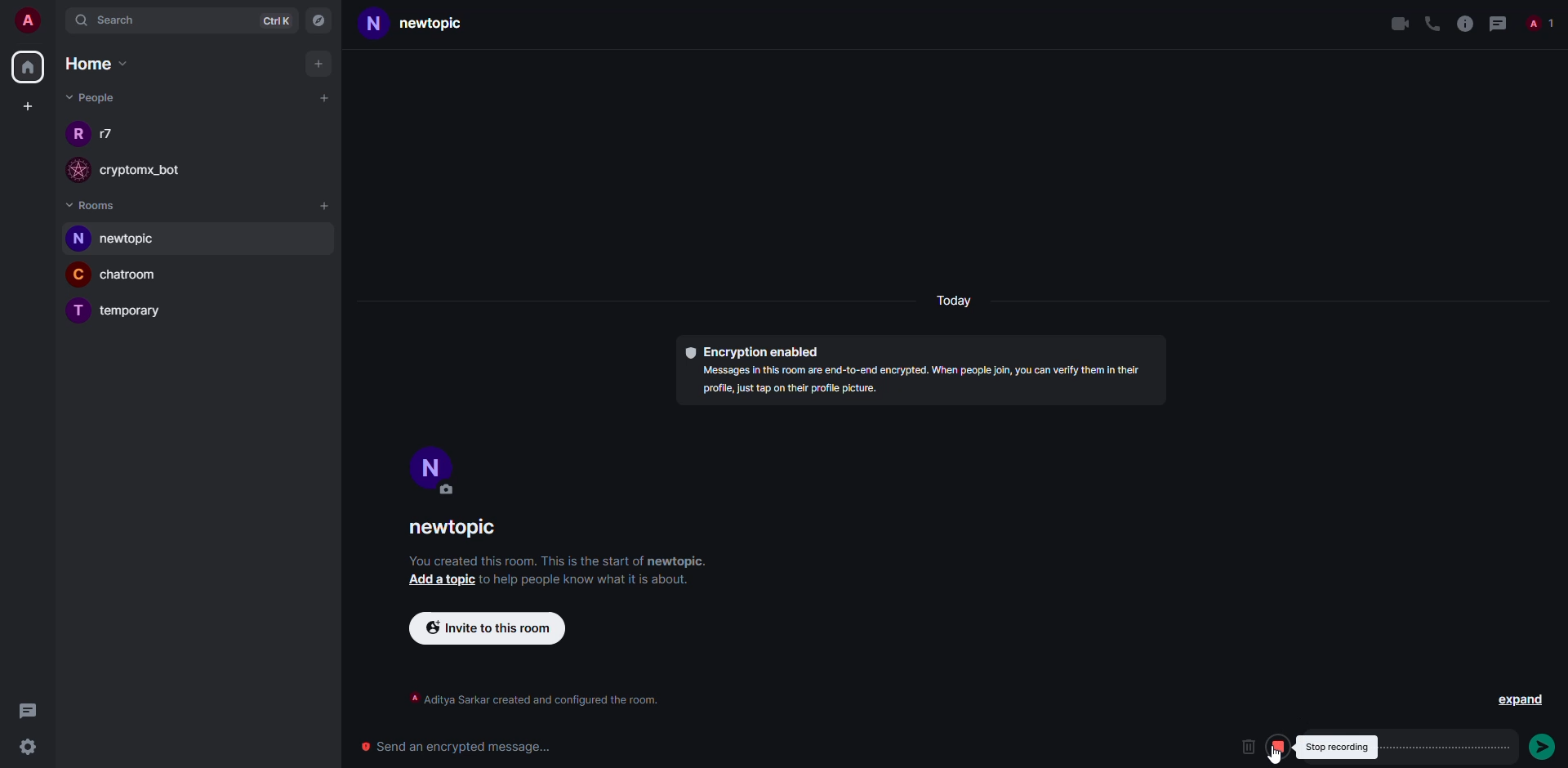 The width and height of the screenshot is (1568, 768). What do you see at coordinates (322, 20) in the screenshot?
I see `navigator` at bounding box center [322, 20].